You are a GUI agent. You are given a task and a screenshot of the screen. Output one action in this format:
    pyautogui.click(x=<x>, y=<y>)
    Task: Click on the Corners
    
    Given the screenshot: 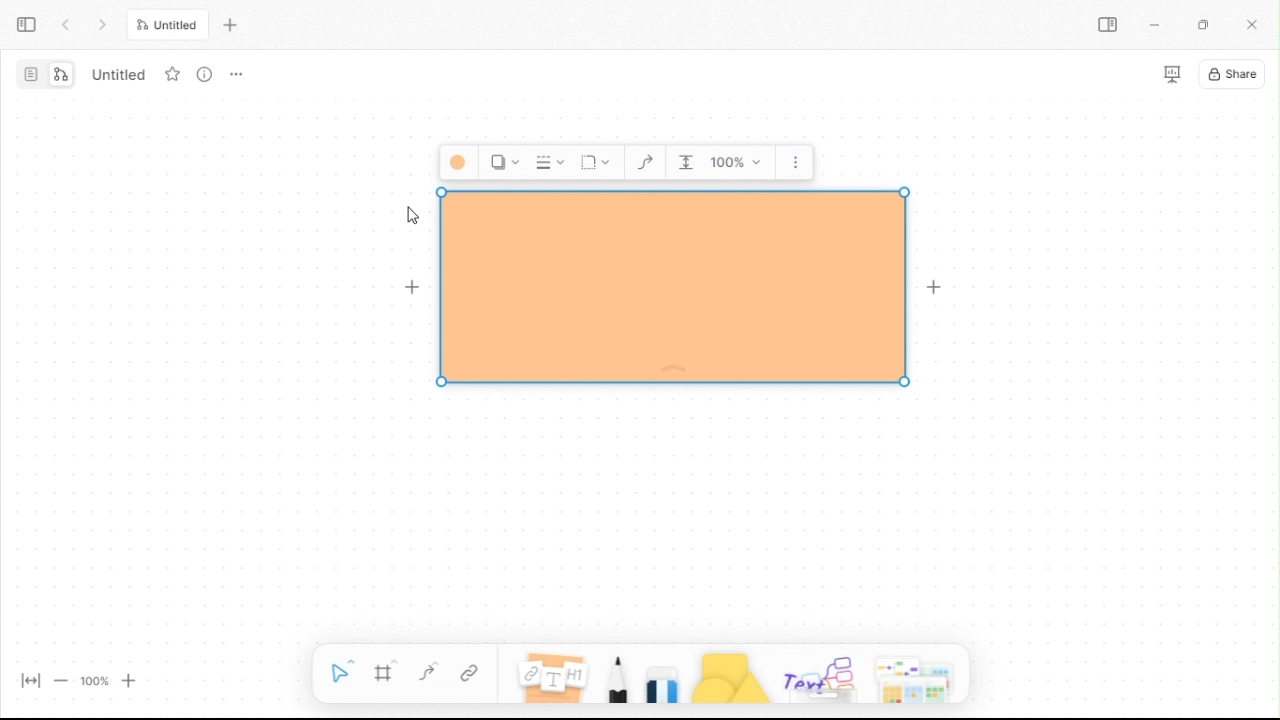 What is the action you would take?
    pyautogui.click(x=596, y=164)
    